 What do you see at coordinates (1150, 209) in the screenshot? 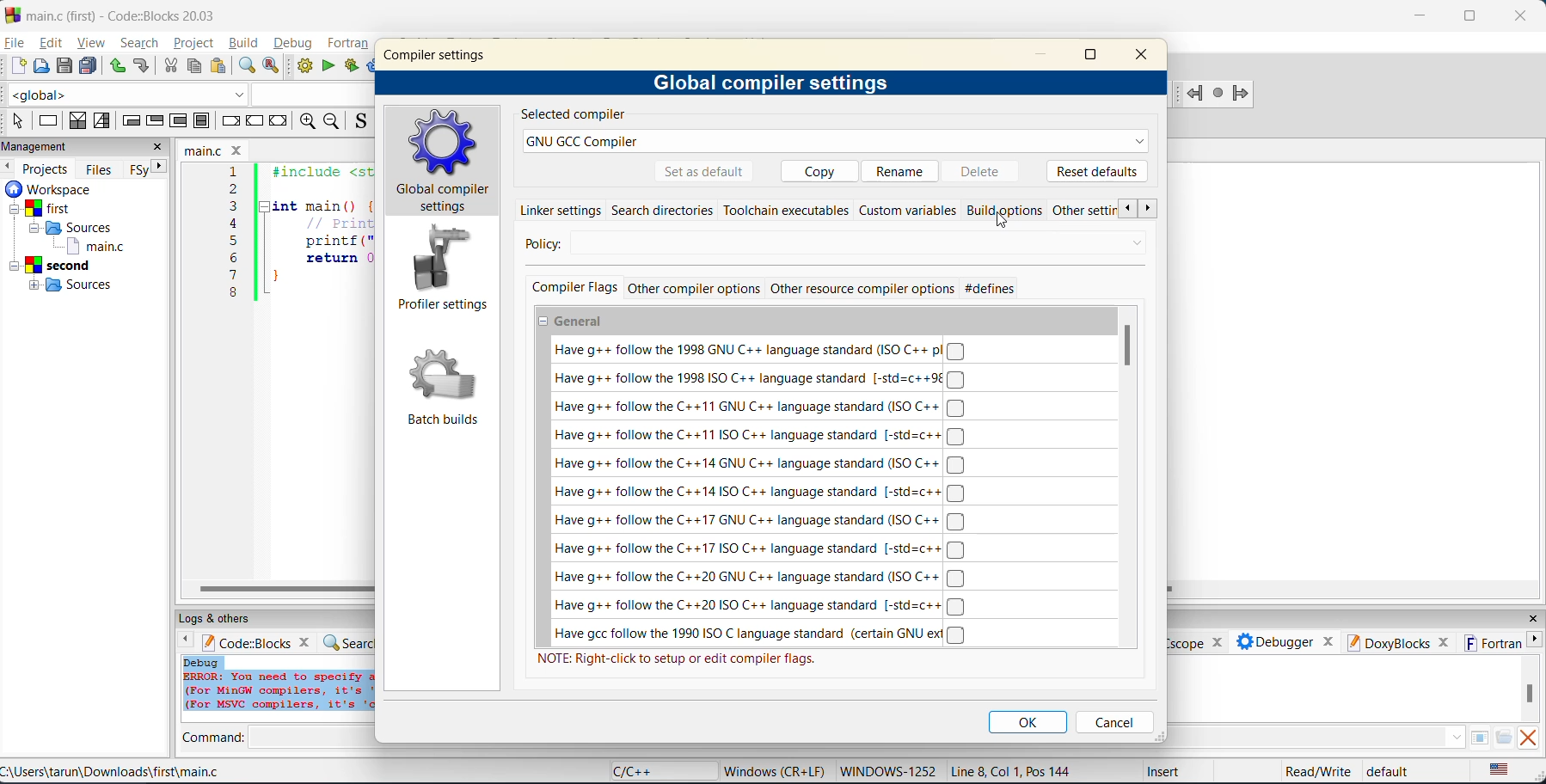
I see `next` at bounding box center [1150, 209].